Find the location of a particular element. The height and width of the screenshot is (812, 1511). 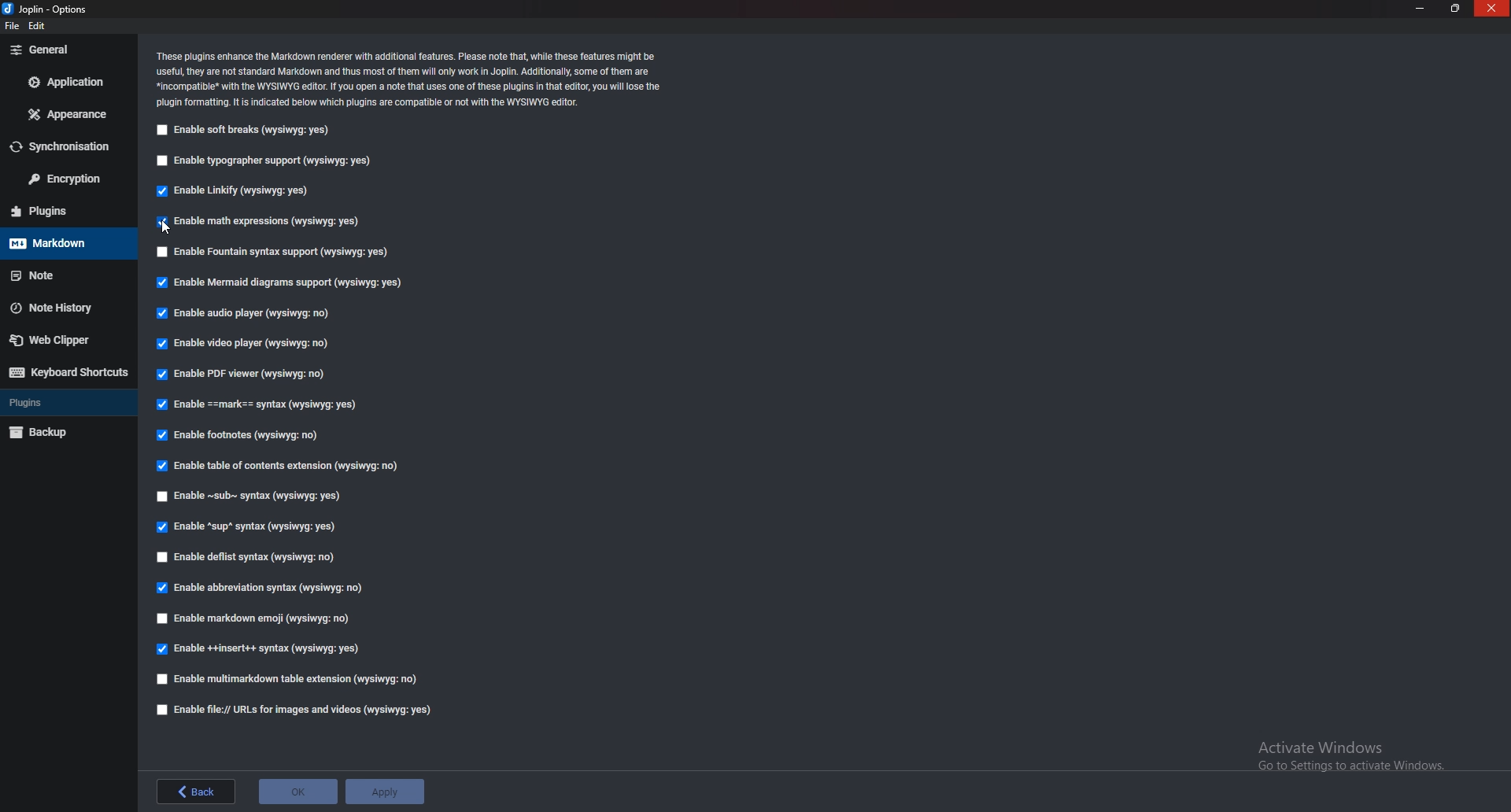

Enable typographer support is located at coordinates (269, 160).